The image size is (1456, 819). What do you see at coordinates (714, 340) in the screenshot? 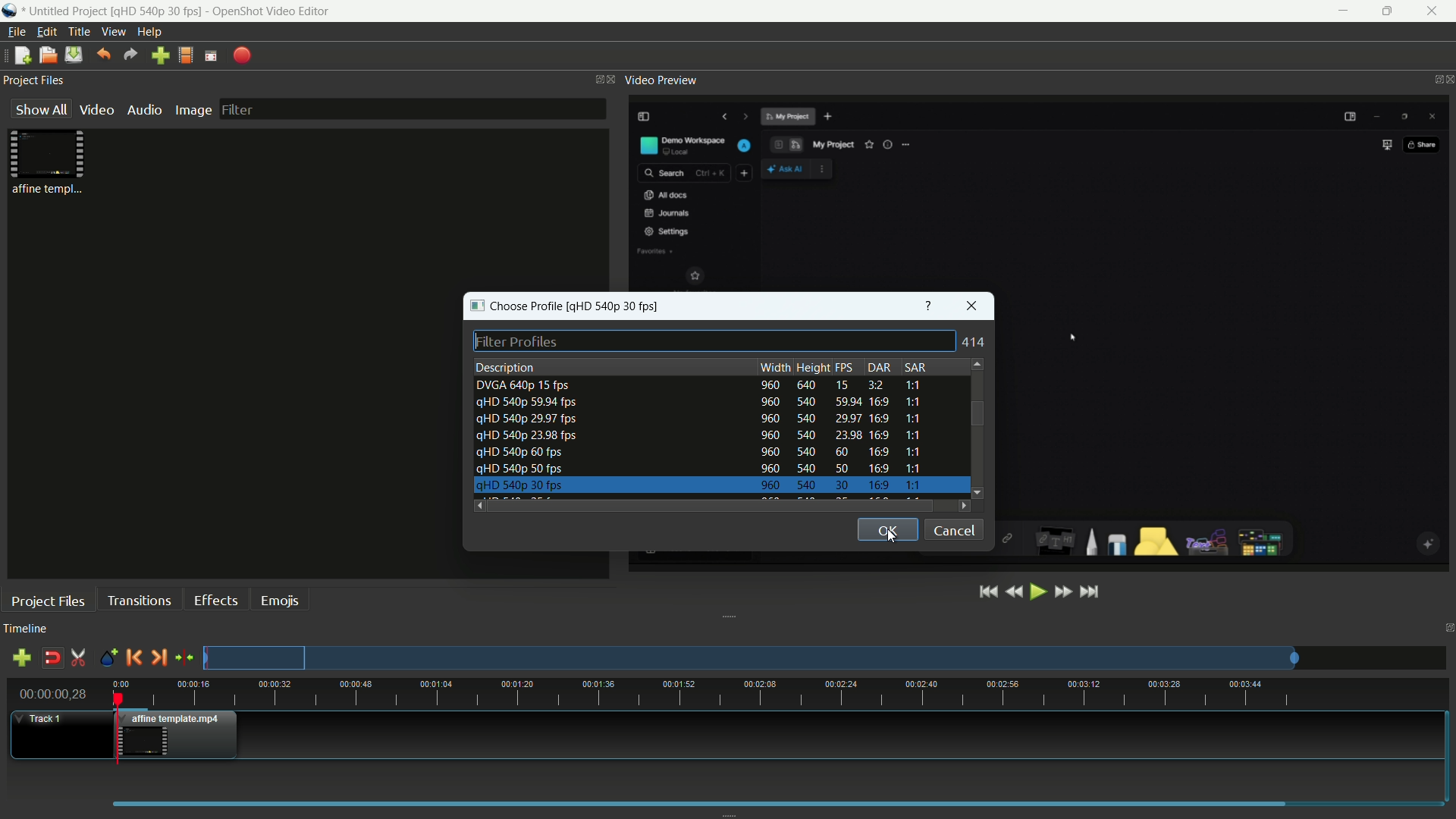
I see `filter profiles` at bounding box center [714, 340].